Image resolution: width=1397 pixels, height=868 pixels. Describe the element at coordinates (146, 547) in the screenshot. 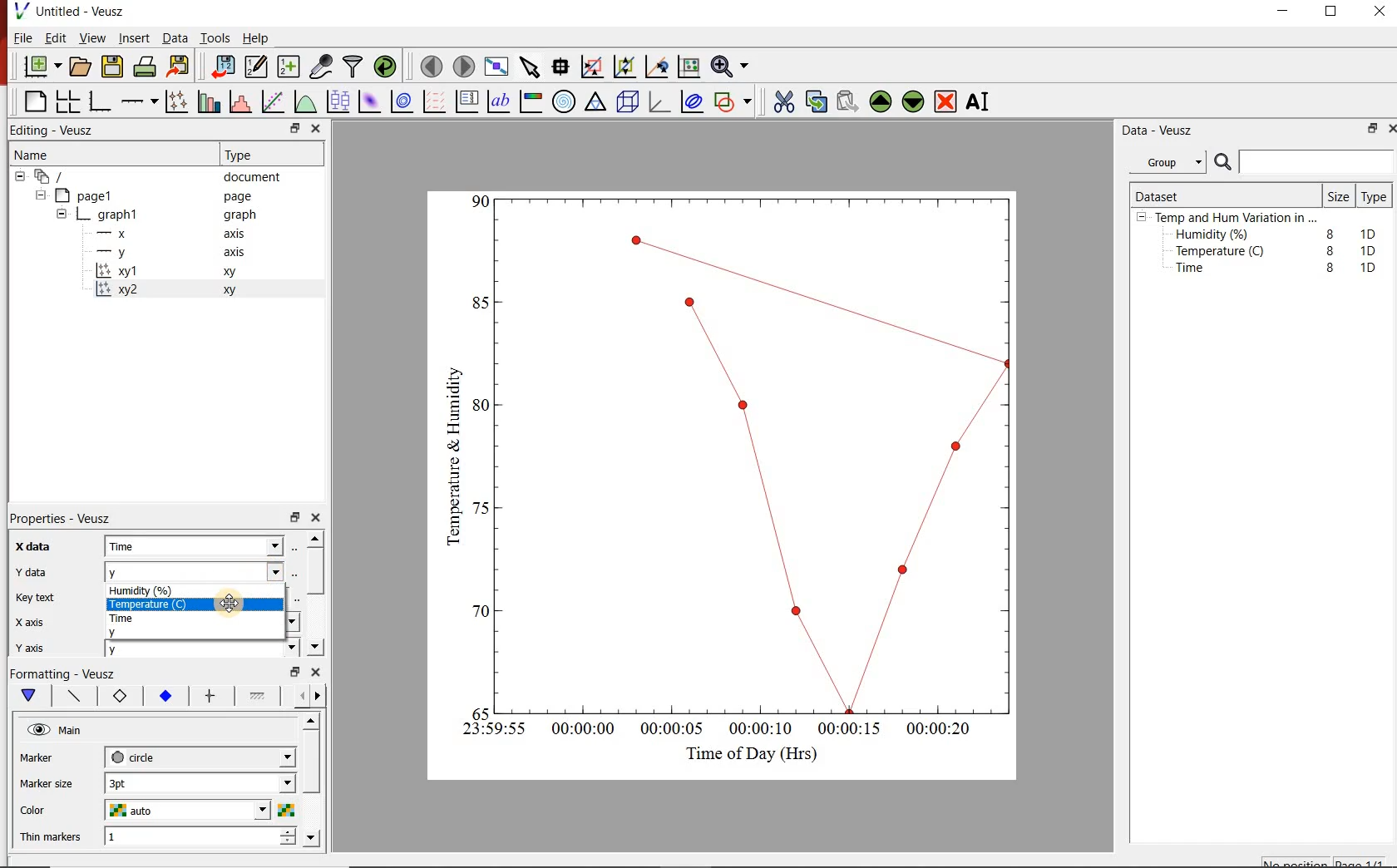

I see `Time` at that location.